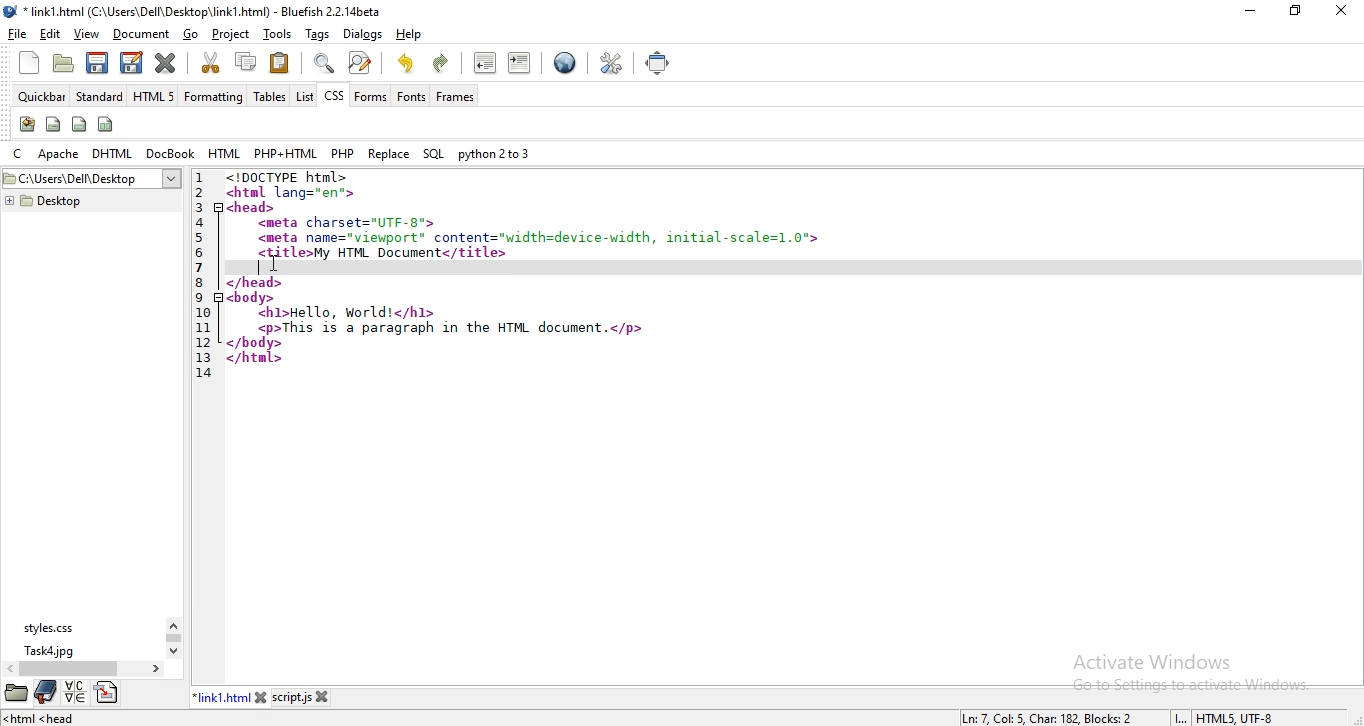 The height and width of the screenshot is (726, 1364). I want to click on typing, so click(257, 268).